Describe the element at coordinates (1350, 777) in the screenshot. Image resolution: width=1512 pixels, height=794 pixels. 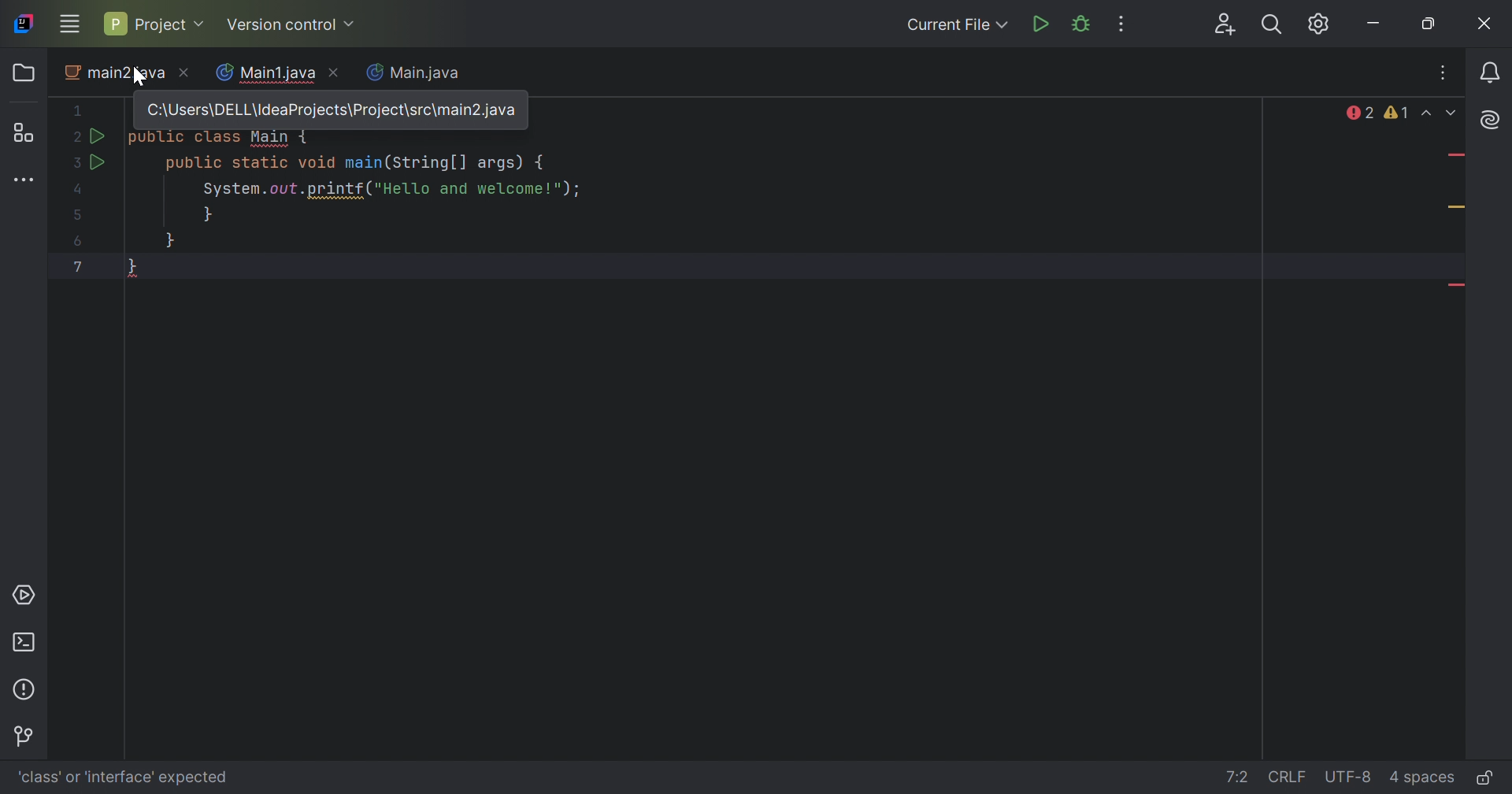
I see `file encoding: UTF-8` at that location.